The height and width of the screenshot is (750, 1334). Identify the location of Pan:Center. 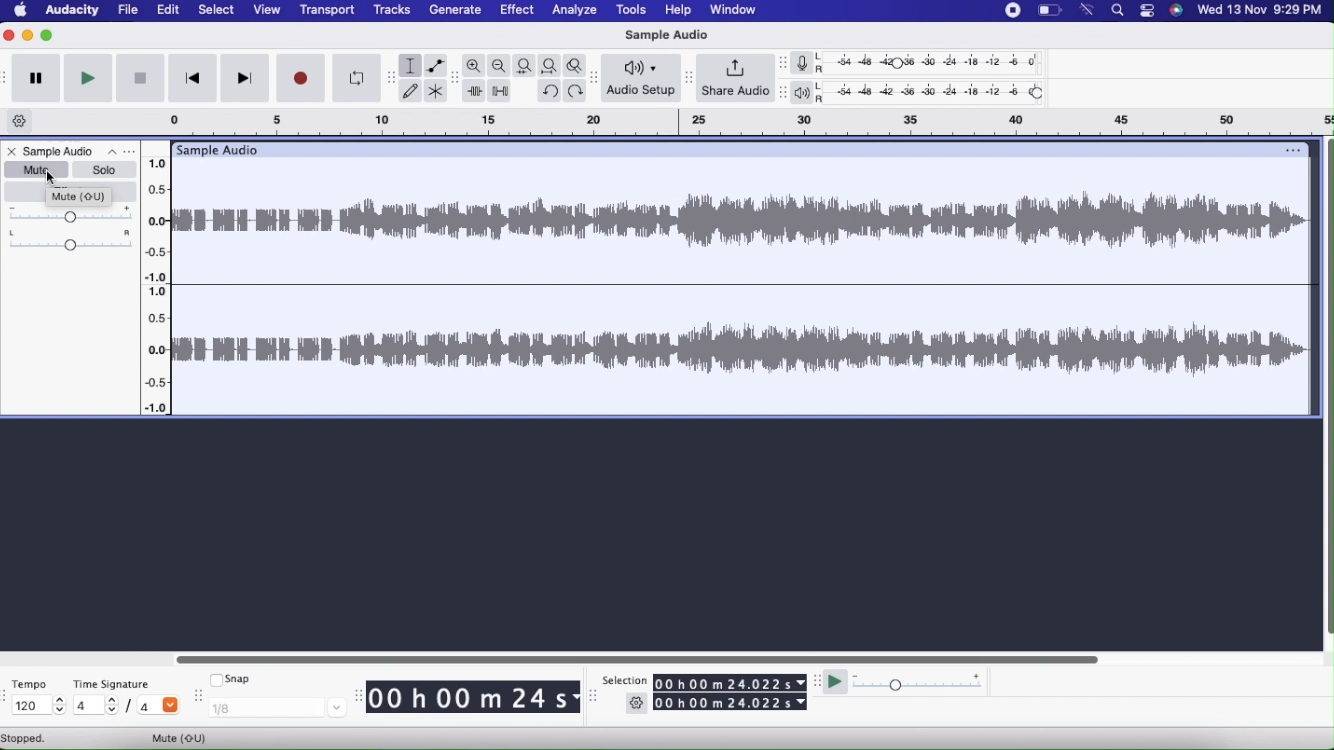
(72, 240).